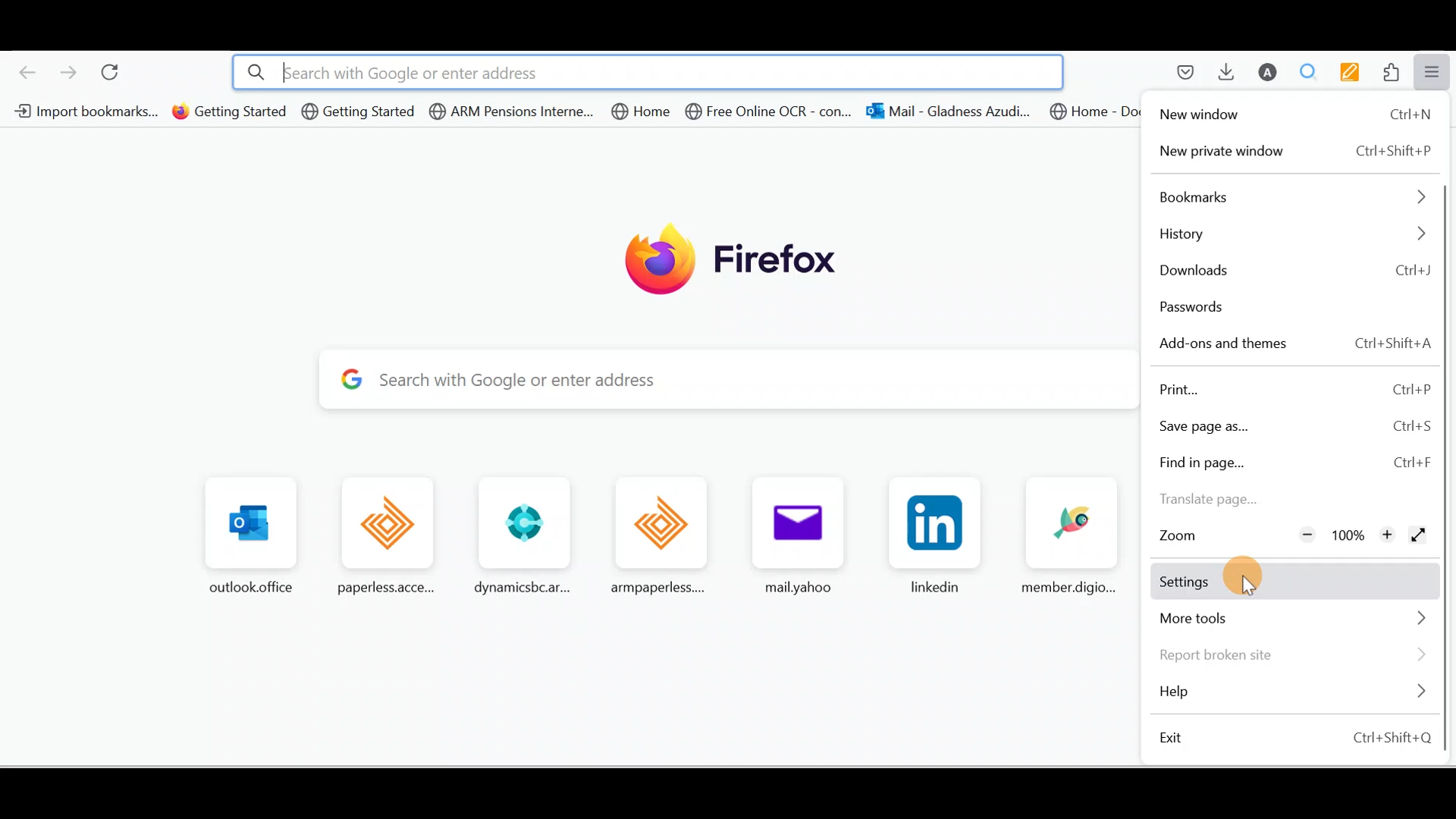 The width and height of the screenshot is (1456, 819). Describe the element at coordinates (1225, 70) in the screenshot. I see `Downloads` at that location.